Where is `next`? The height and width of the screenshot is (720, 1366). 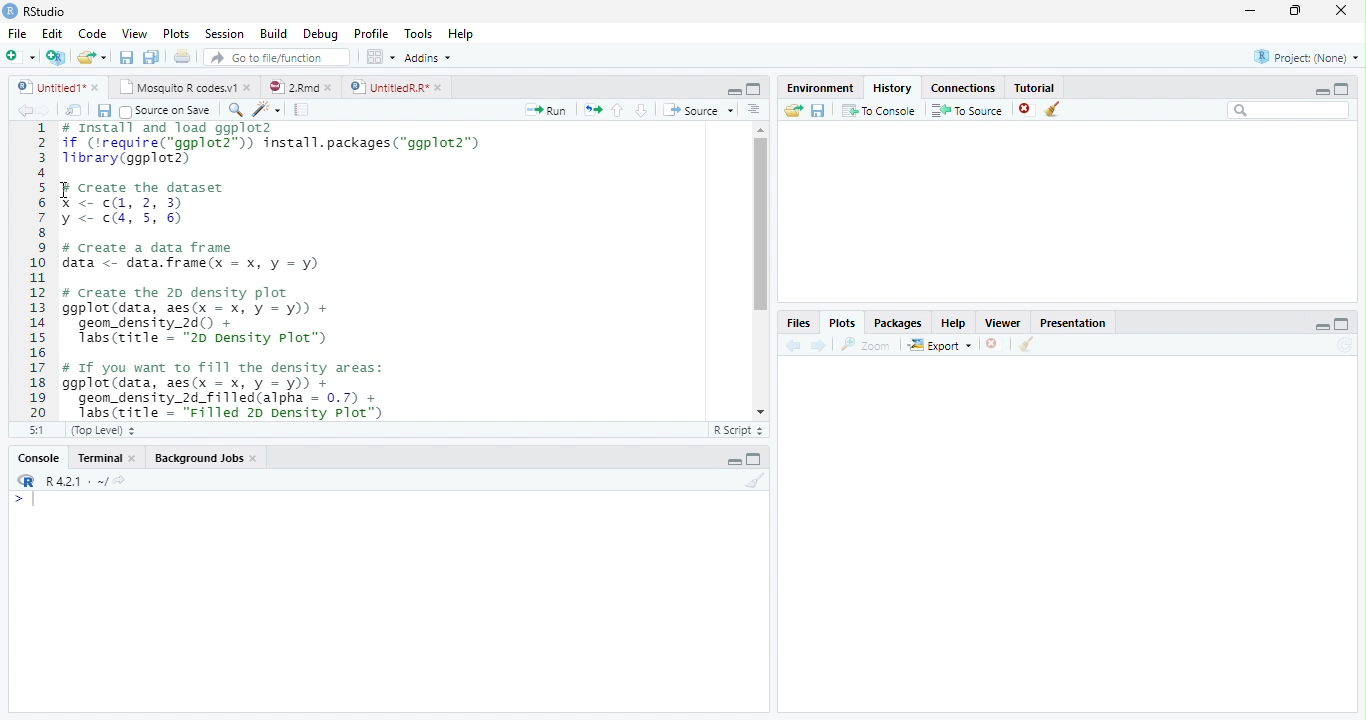
next is located at coordinates (52, 112).